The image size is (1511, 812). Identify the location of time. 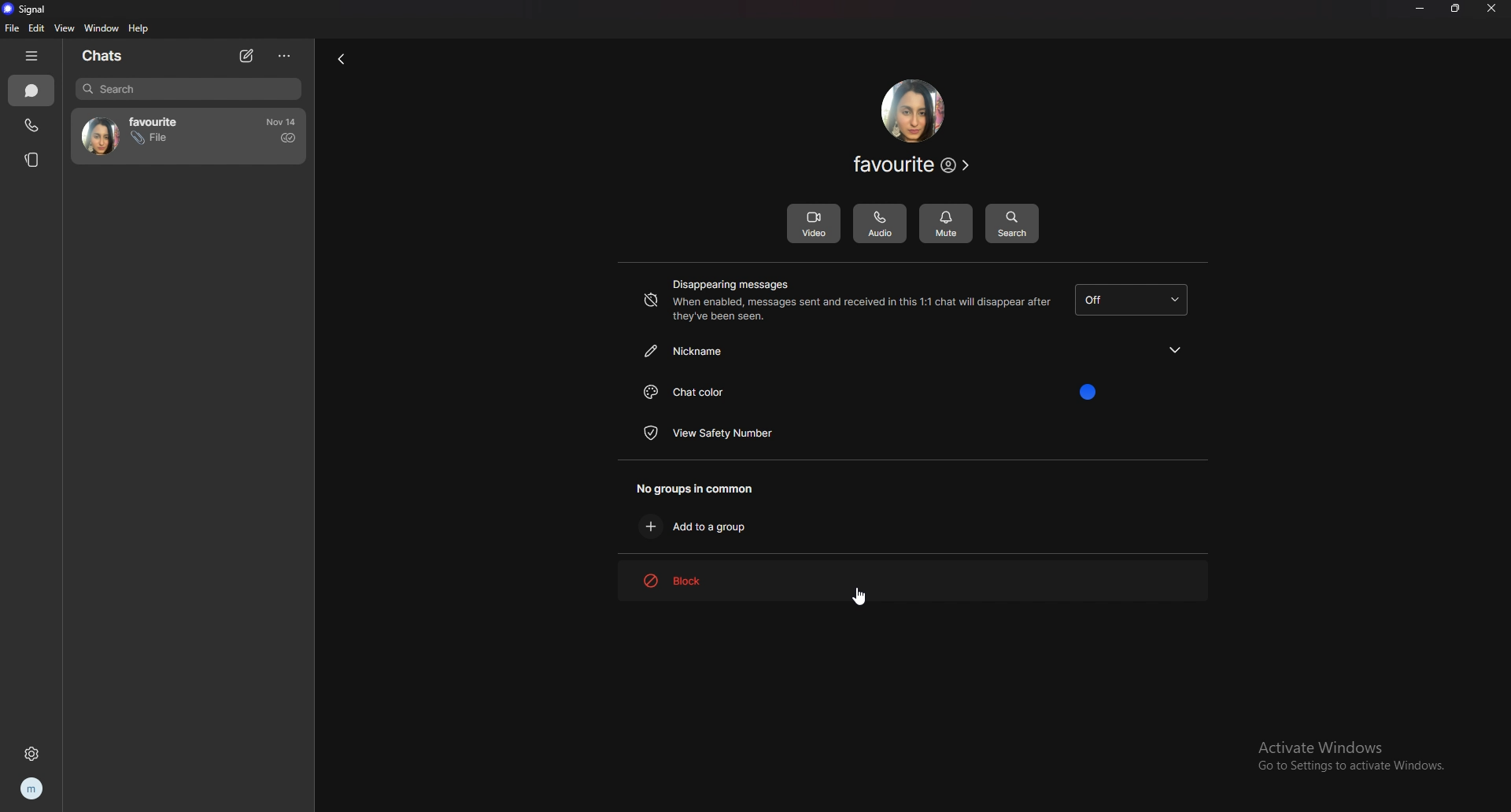
(281, 122).